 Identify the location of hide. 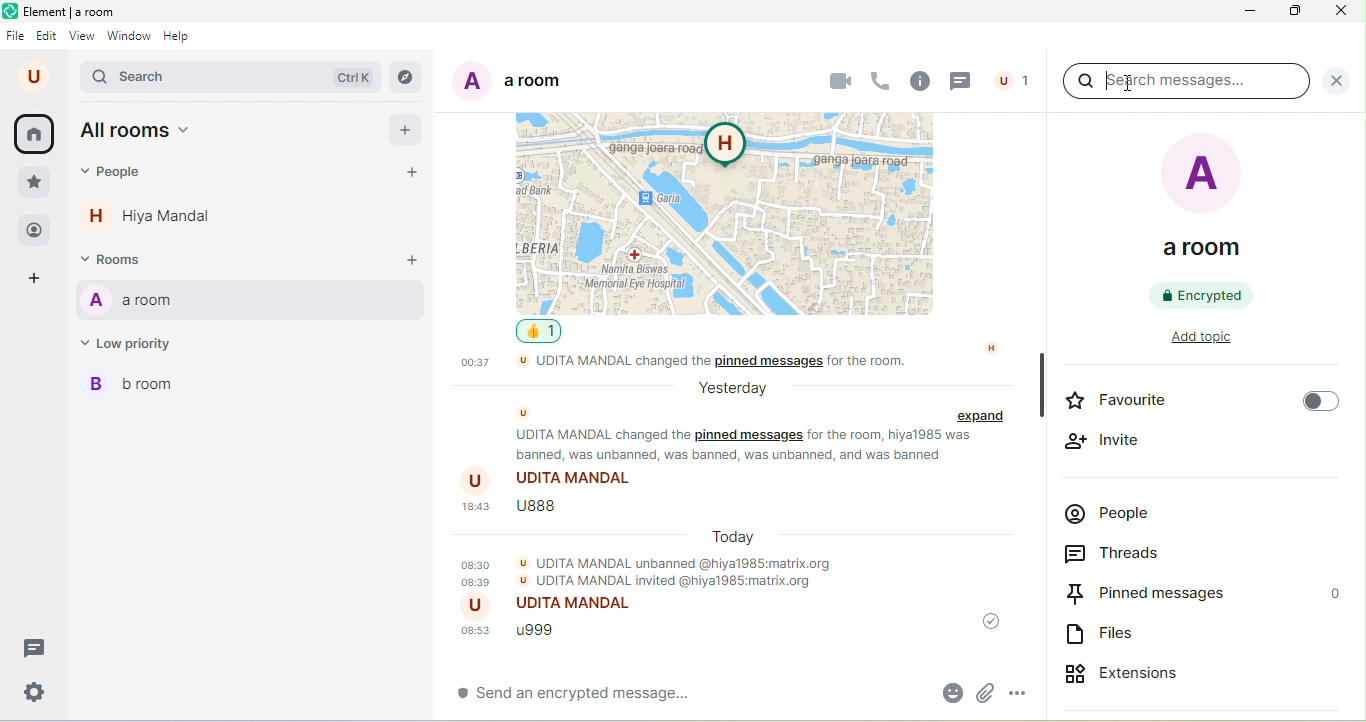
(1040, 385).